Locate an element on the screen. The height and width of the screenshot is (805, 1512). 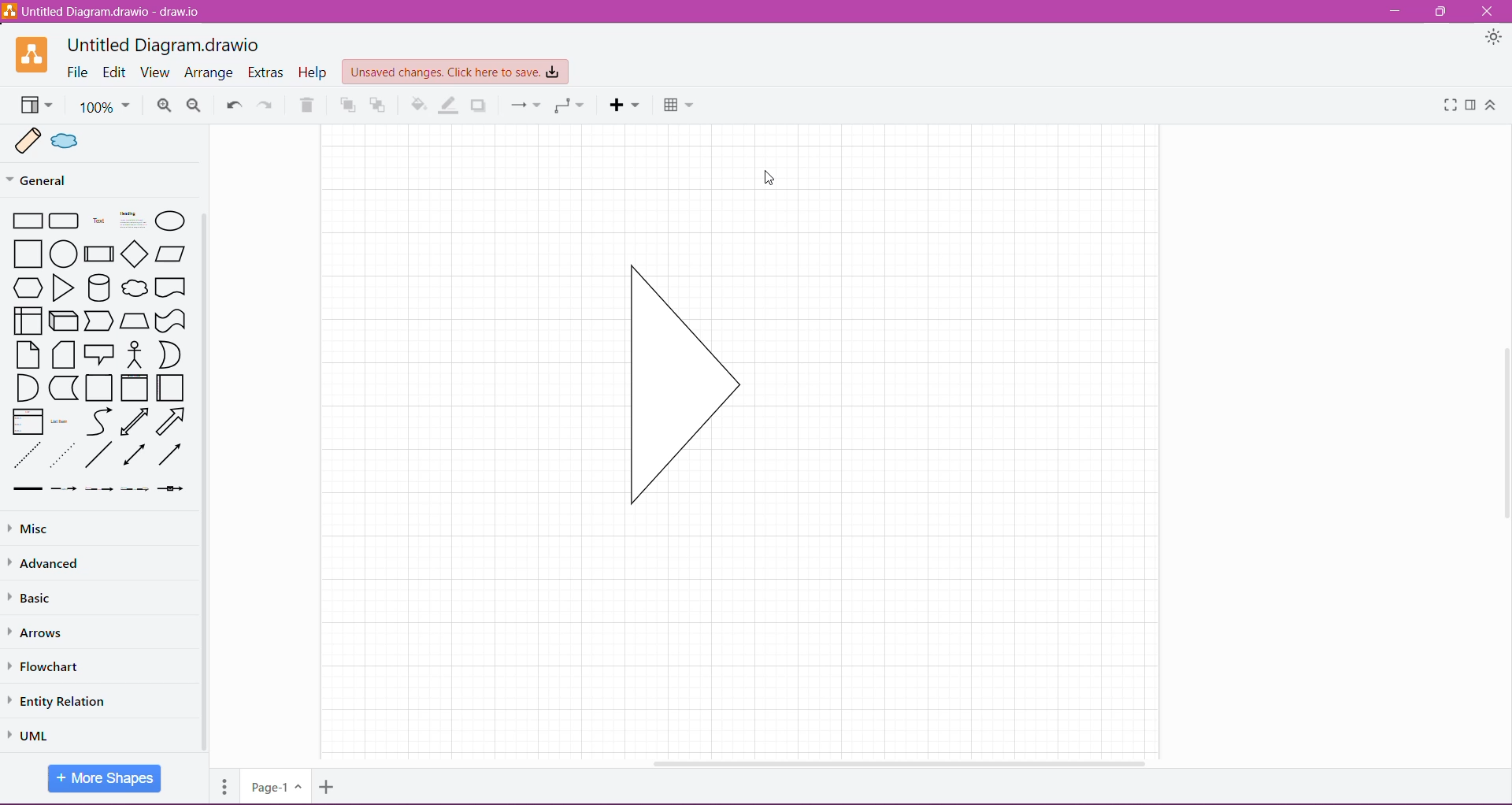
Fill Color is located at coordinates (417, 106).